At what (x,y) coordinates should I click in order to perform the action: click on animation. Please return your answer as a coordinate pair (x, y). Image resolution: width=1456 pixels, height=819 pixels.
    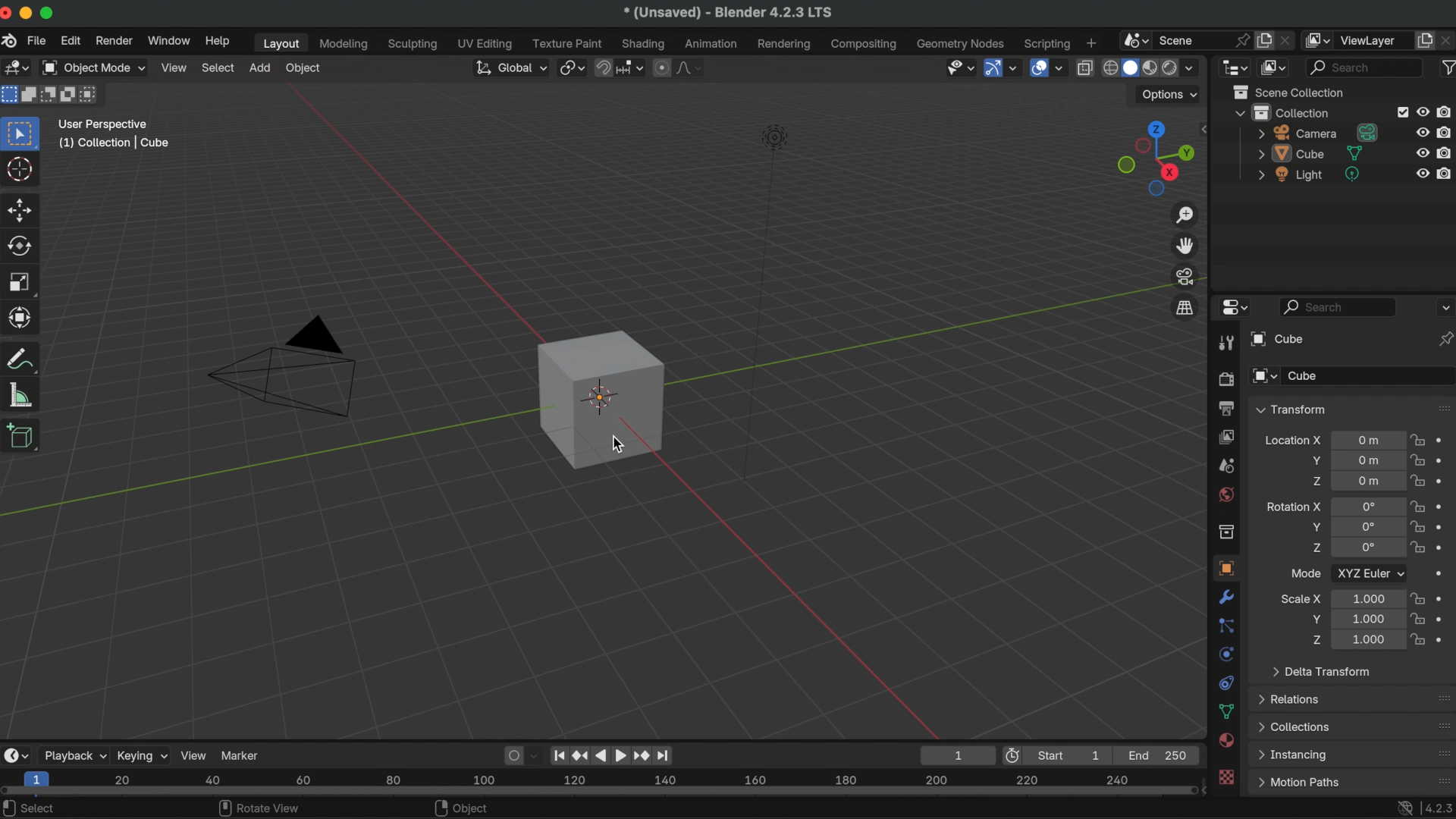
    Looking at the image, I should click on (713, 44).